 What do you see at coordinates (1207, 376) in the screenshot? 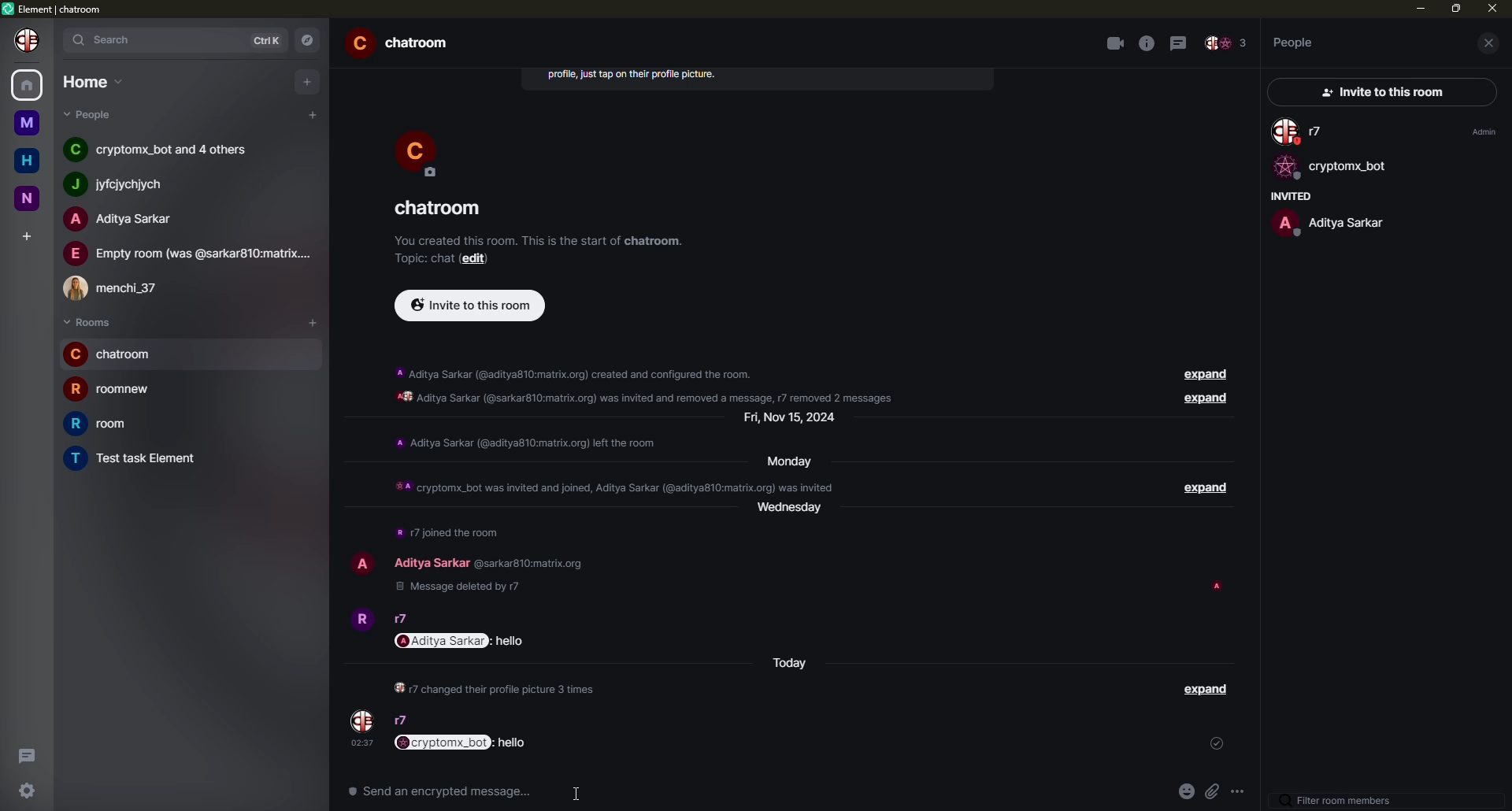
I see `expand` at bounding box center [1207, 376].